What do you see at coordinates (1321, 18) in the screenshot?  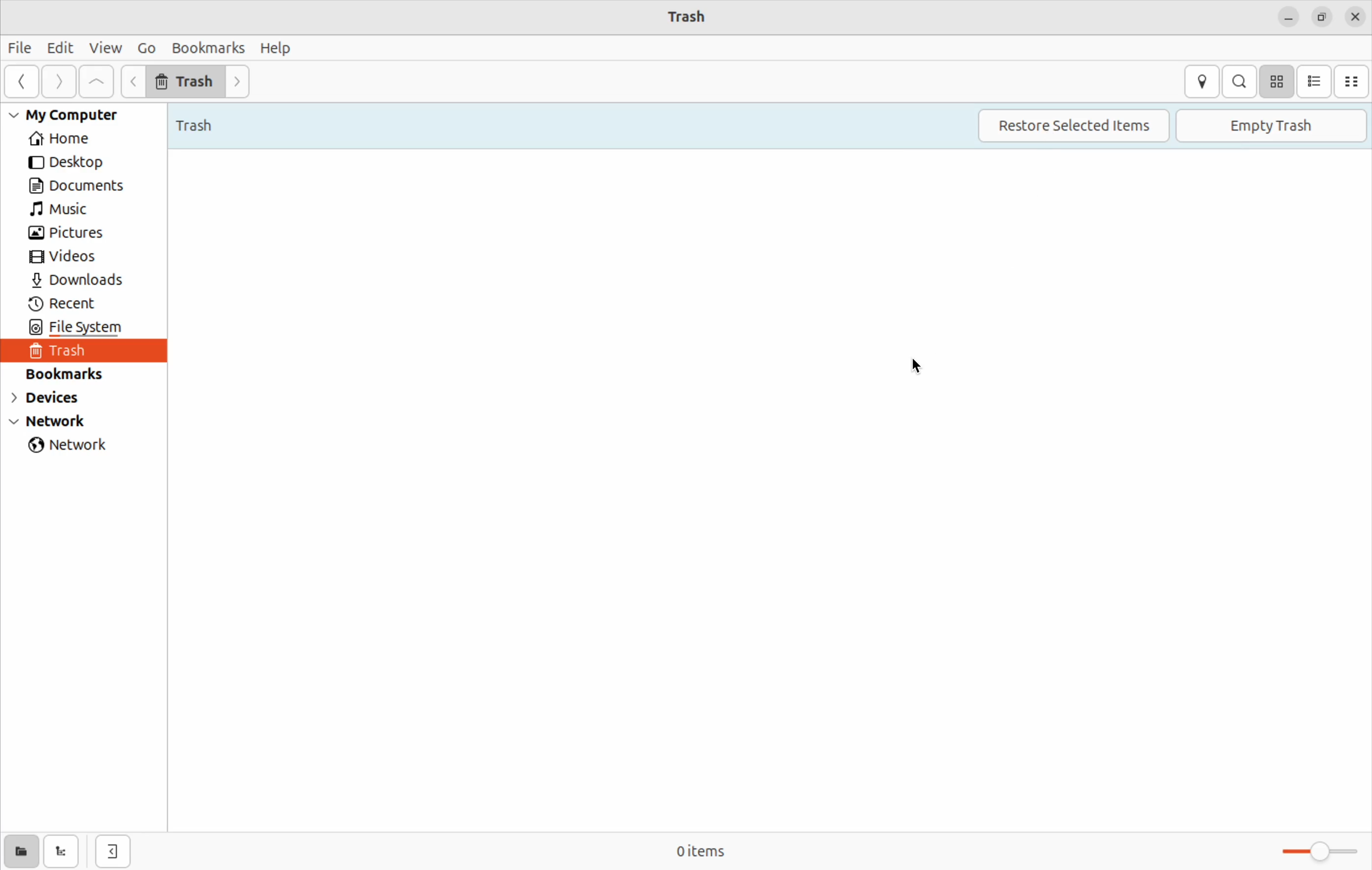 I see `resize` at bounding box center [1321, 18].